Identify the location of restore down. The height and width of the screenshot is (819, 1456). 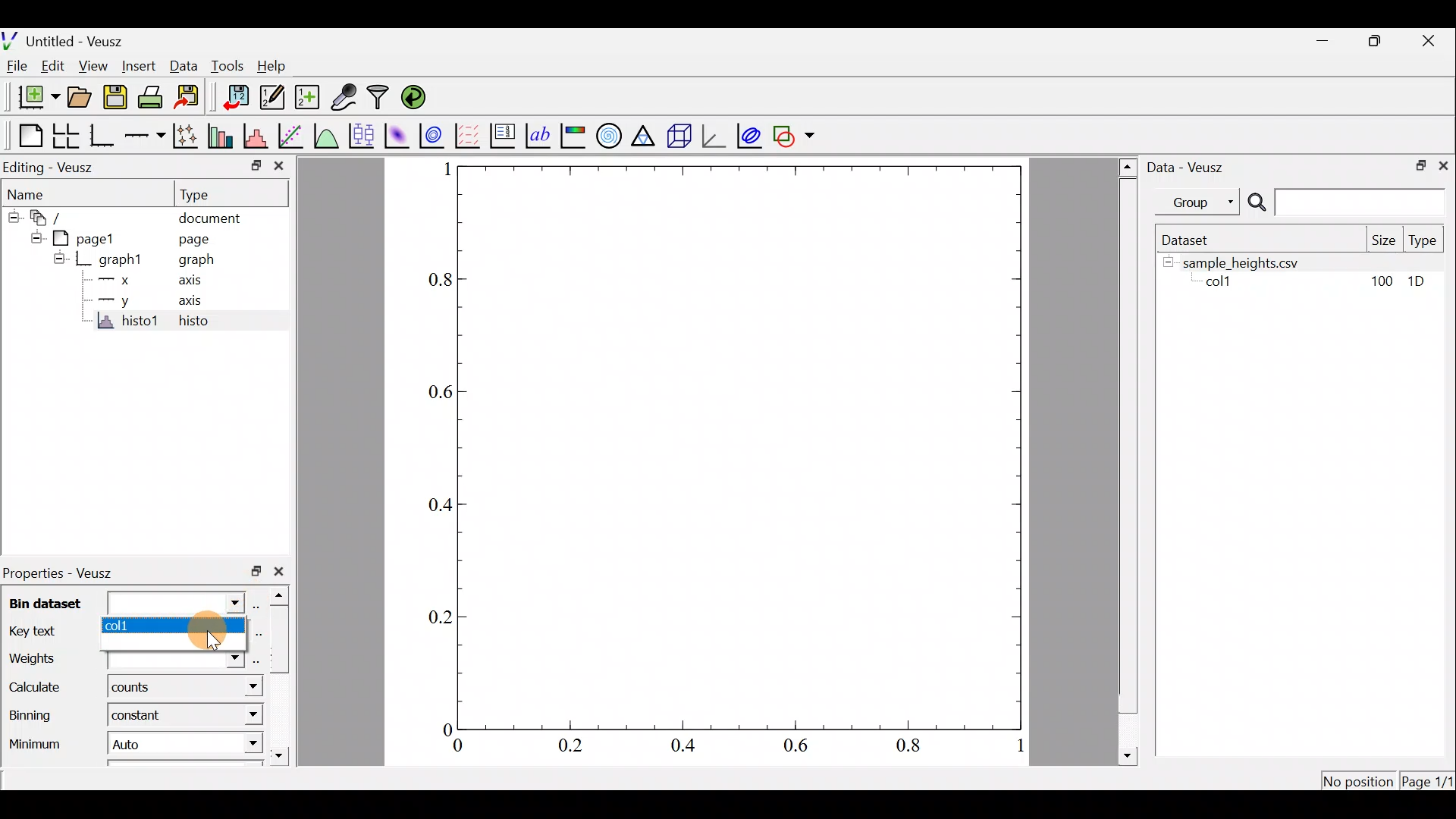
(1419, 166).